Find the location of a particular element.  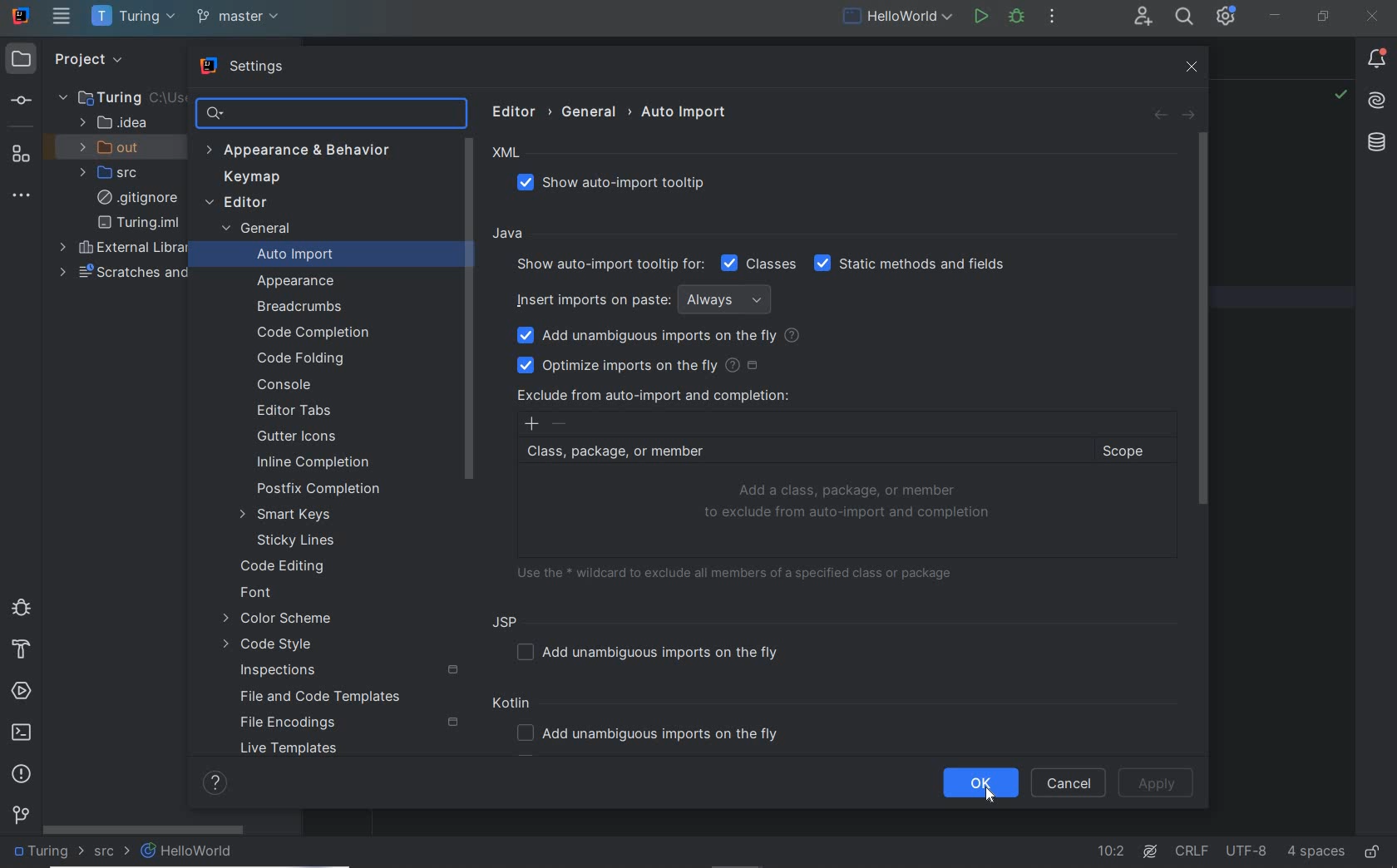

FONT is located at coordinates (257, 594).